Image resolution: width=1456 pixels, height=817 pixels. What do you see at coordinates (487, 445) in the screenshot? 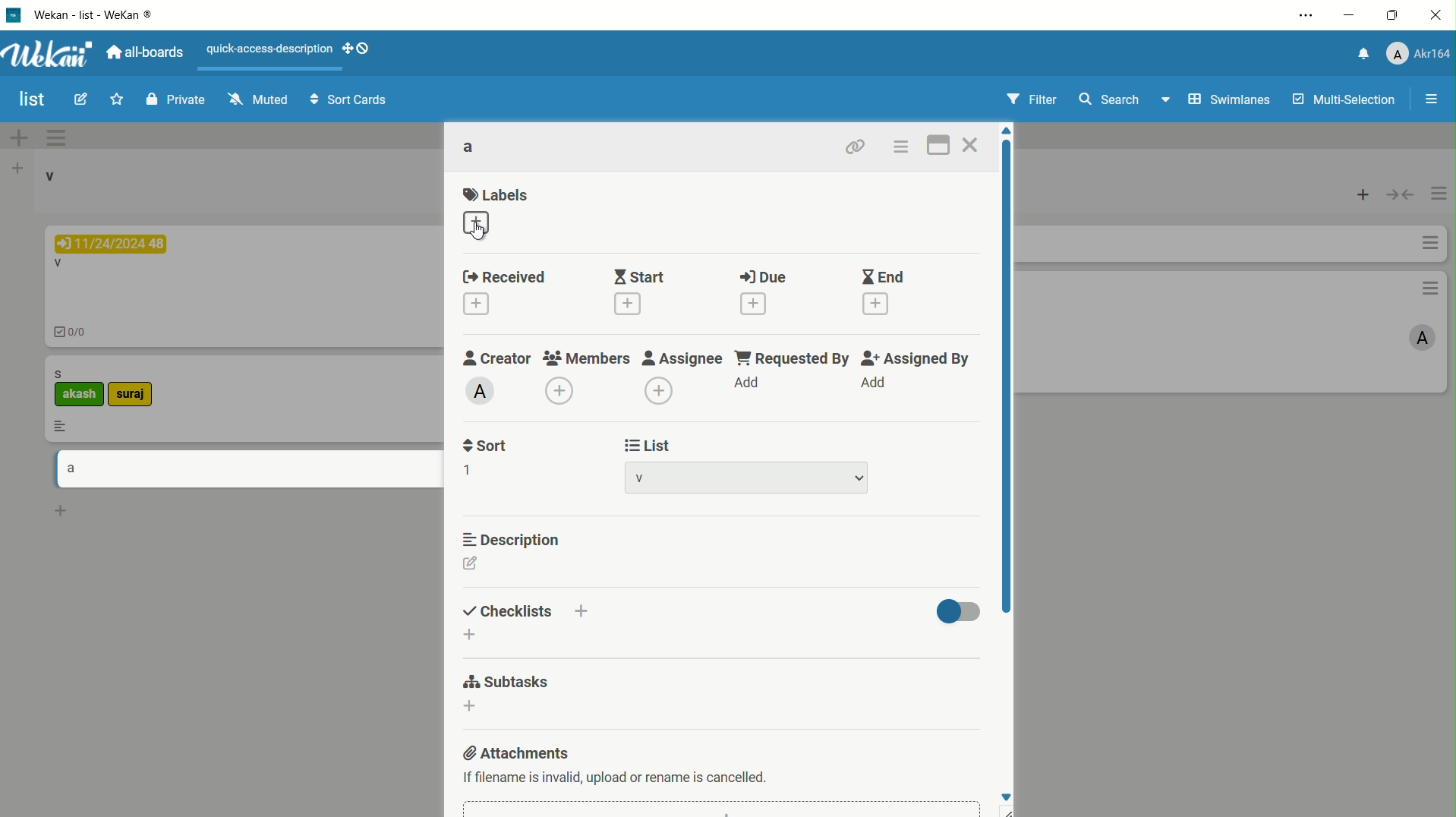
I see `sort` at bounding box center [487, 445].